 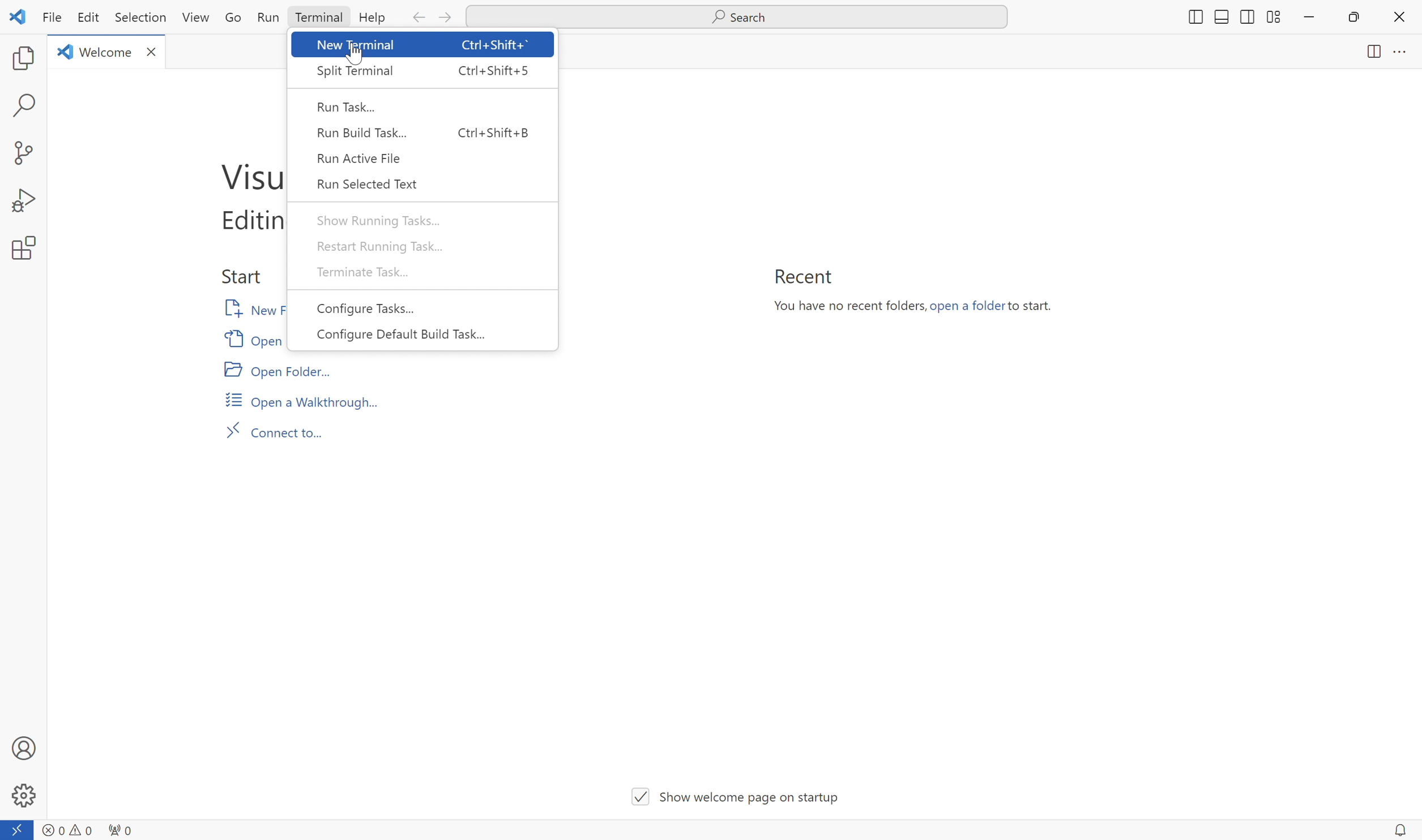 What do you see at coordinates (52, 826) in the screenshot?
I see `errors` at bounding box center [52, 826].